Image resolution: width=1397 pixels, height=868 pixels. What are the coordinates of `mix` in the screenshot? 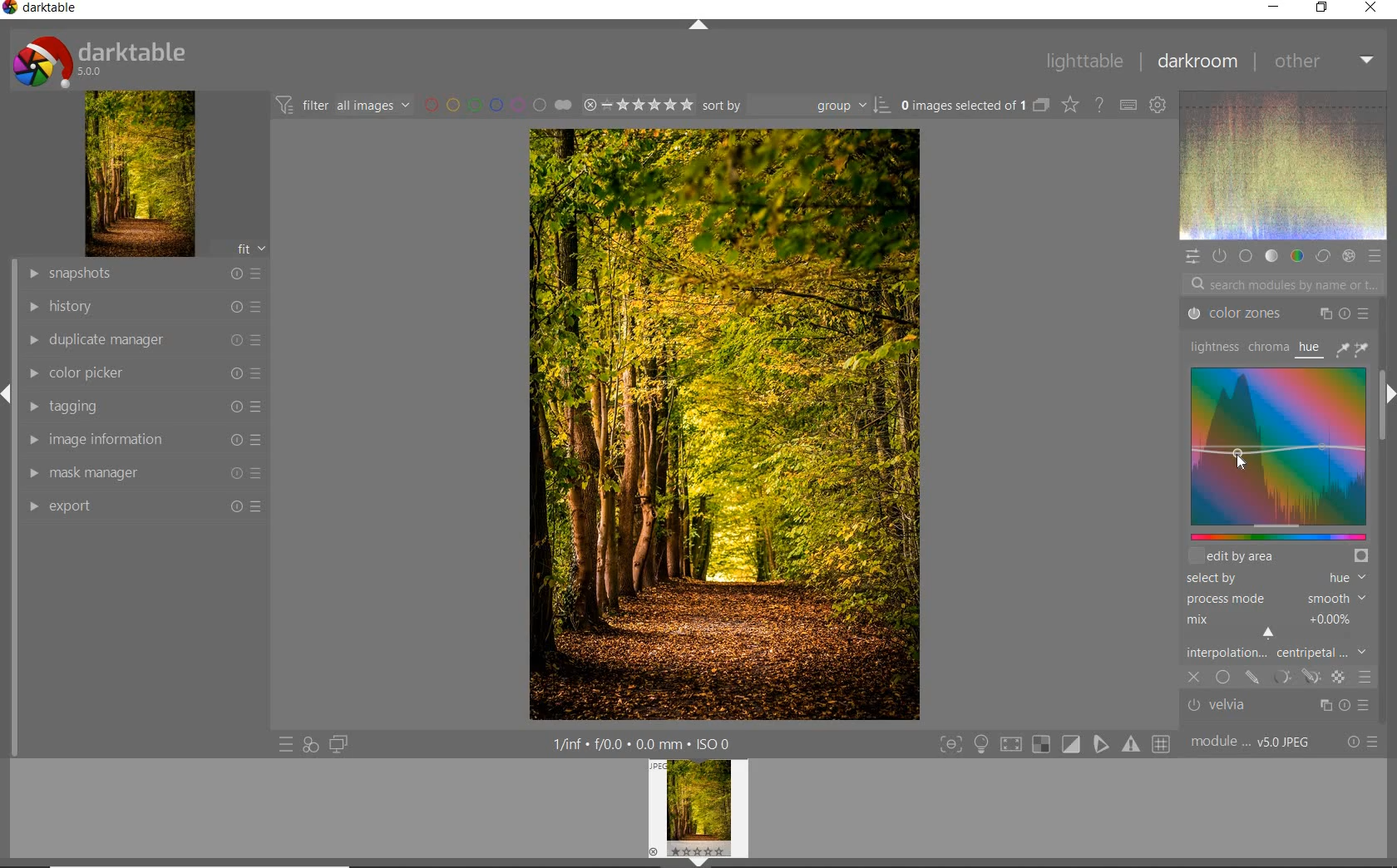 It's located at (1281, 627).